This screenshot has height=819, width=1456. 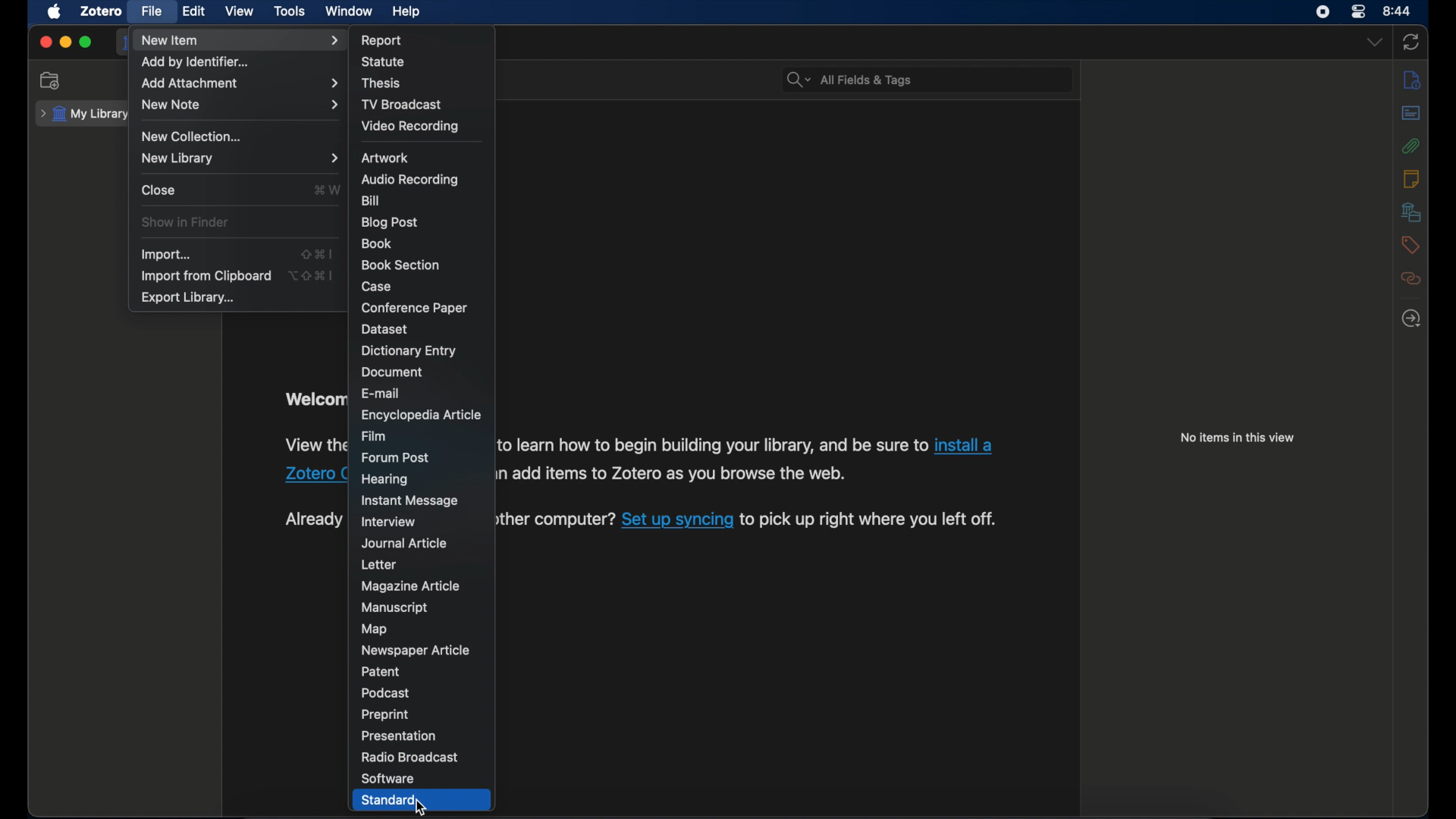 I want to click on forum post, so click(x=395, y=457).